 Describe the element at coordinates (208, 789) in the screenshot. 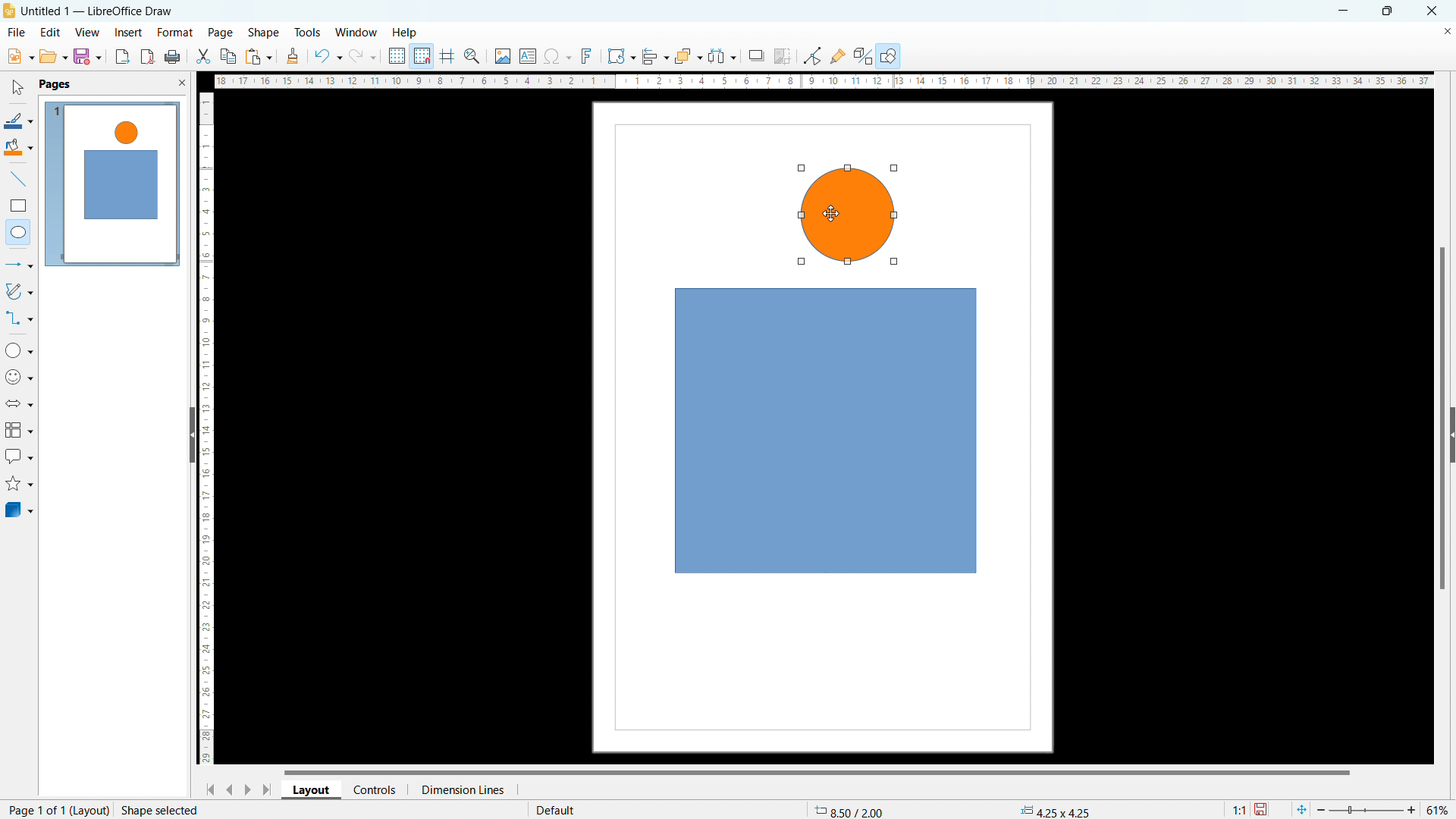

I see `go to first page` at that location.